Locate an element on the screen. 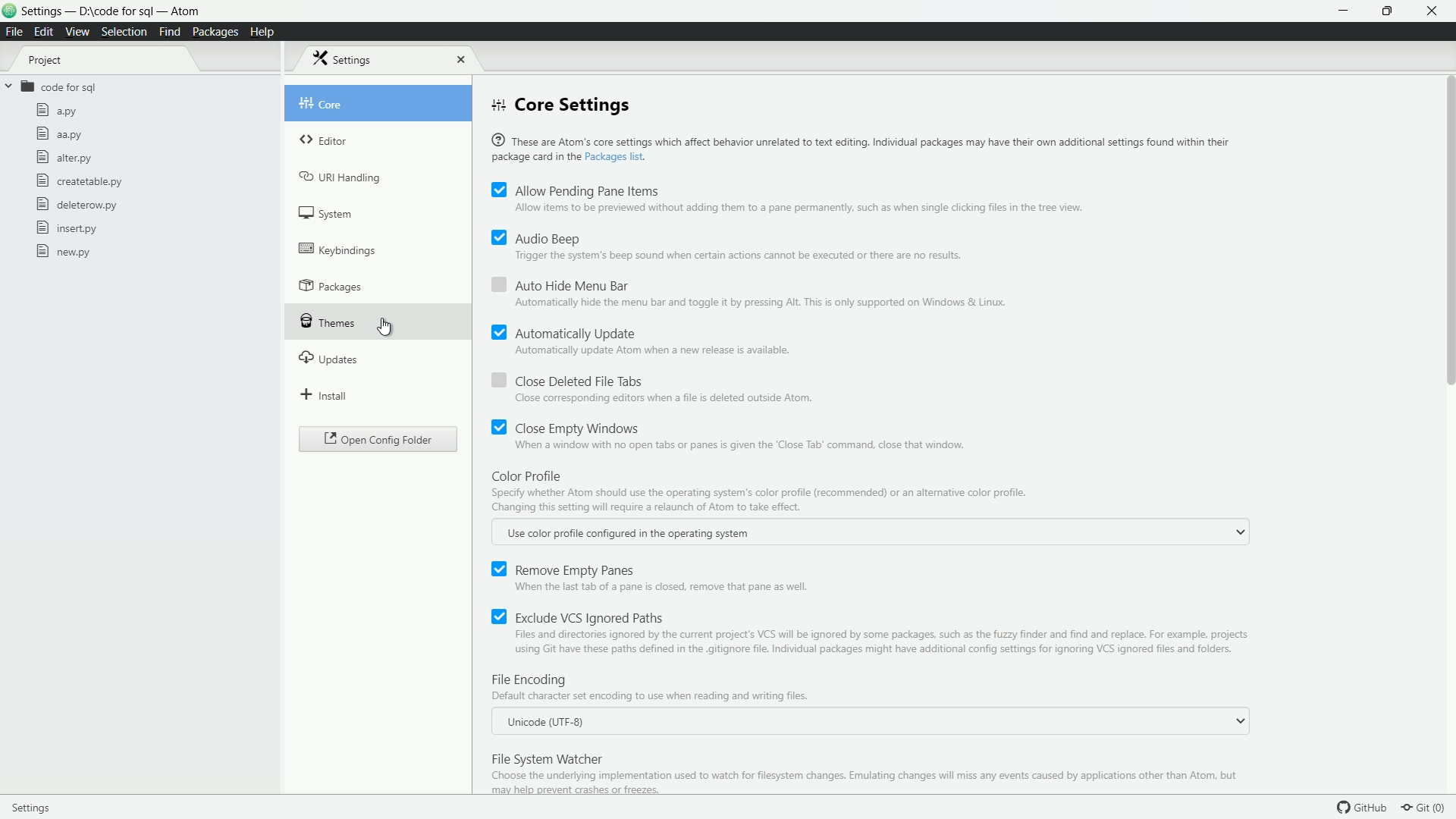 The height and width of the screenshot is (819, 1456). core is located at coordinates (321, 103).